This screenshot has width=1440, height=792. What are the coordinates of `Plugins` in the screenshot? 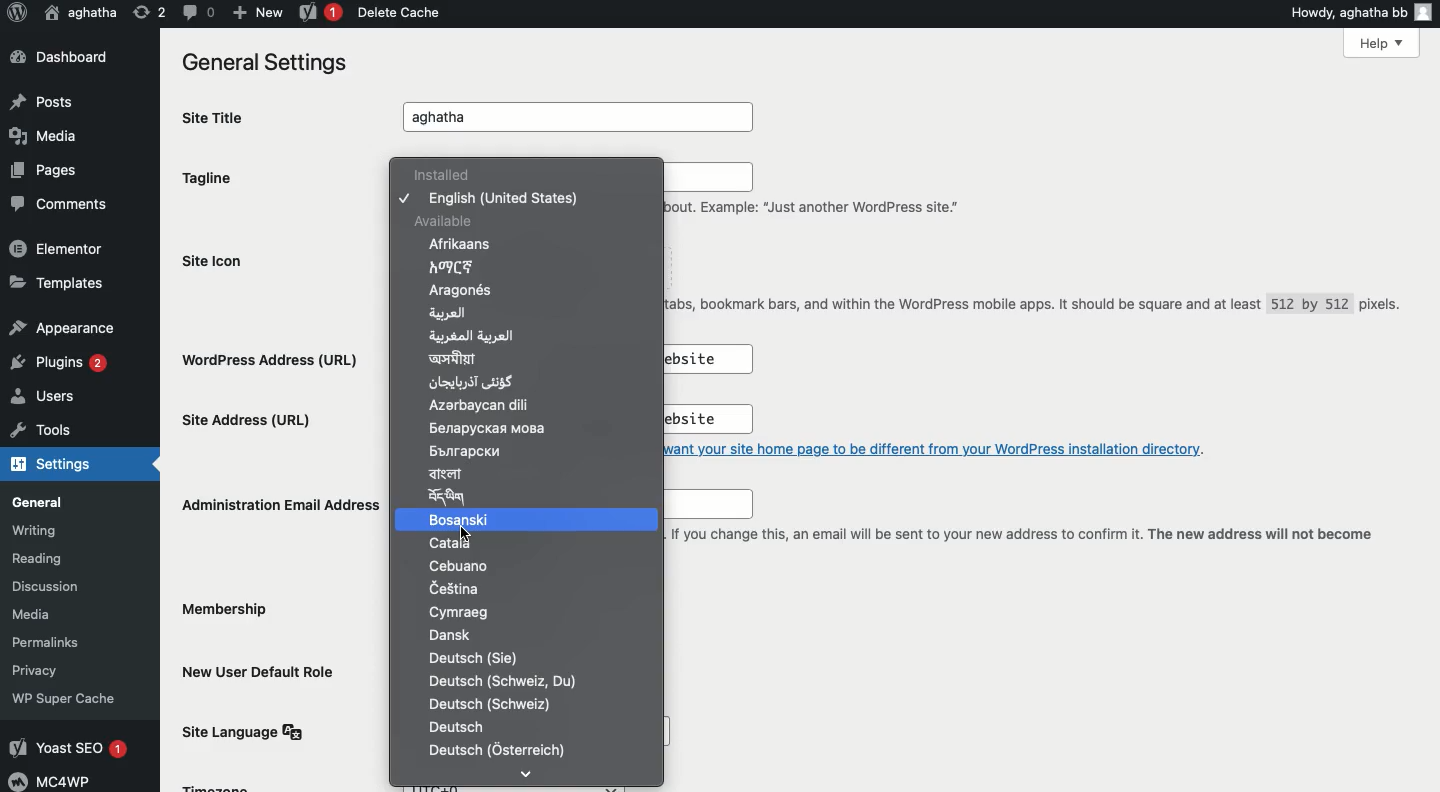 It's located at (63, 363).